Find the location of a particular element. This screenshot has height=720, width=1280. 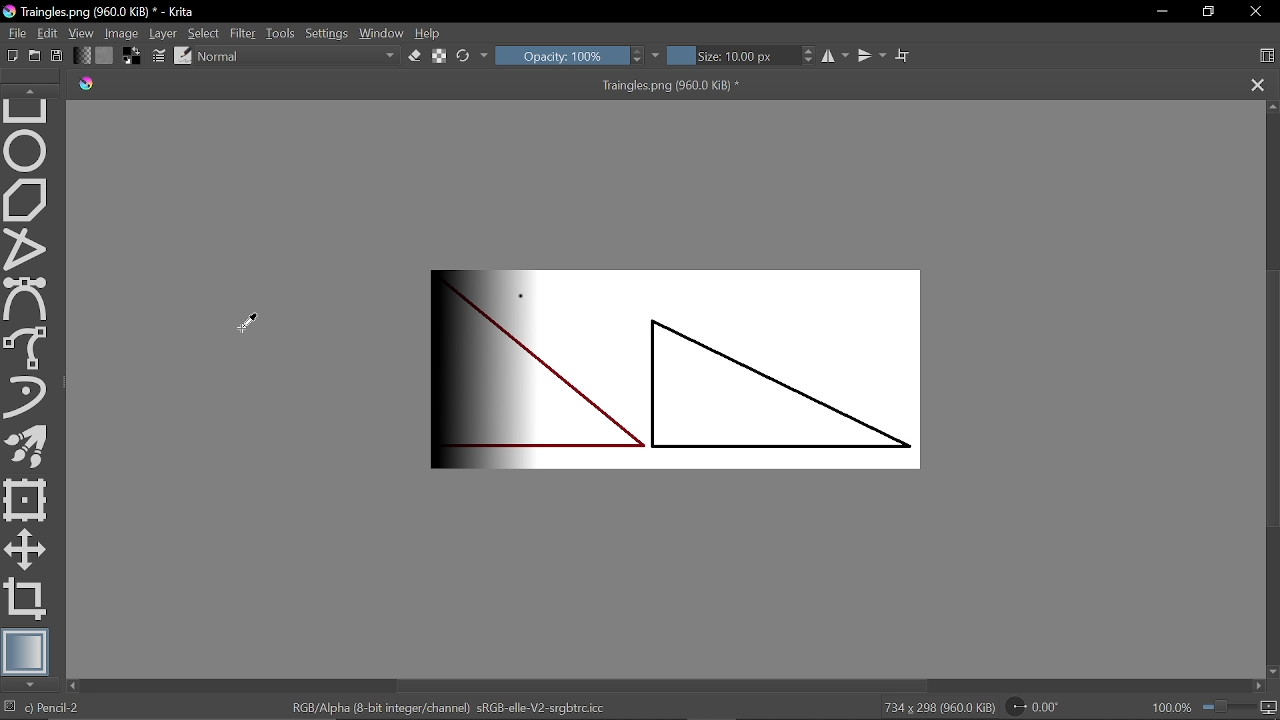

Fill pattern is located at coordinates (105, 54).